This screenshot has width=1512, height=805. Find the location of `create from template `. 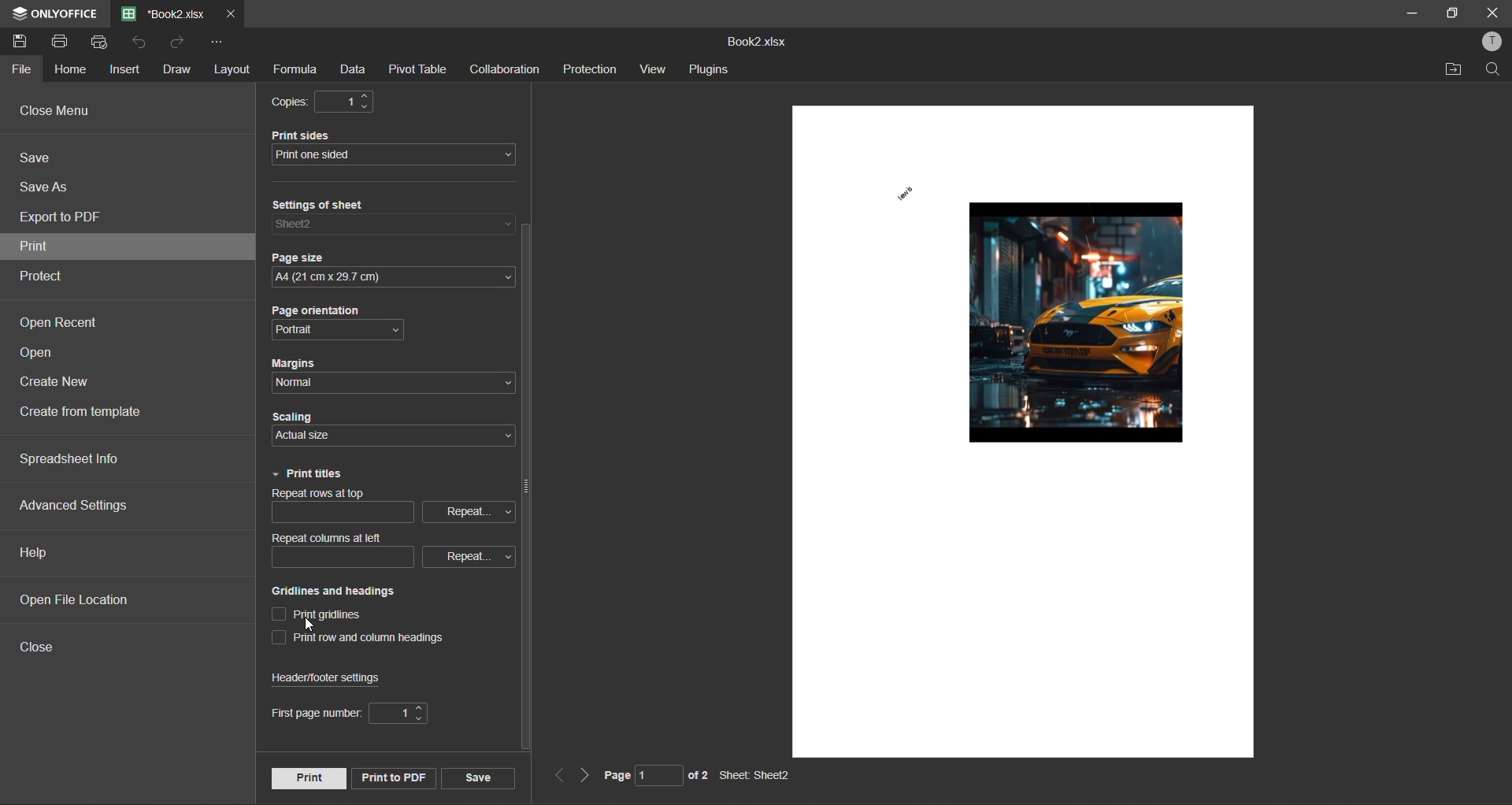

create from template  is located at coordinates (89, 414).